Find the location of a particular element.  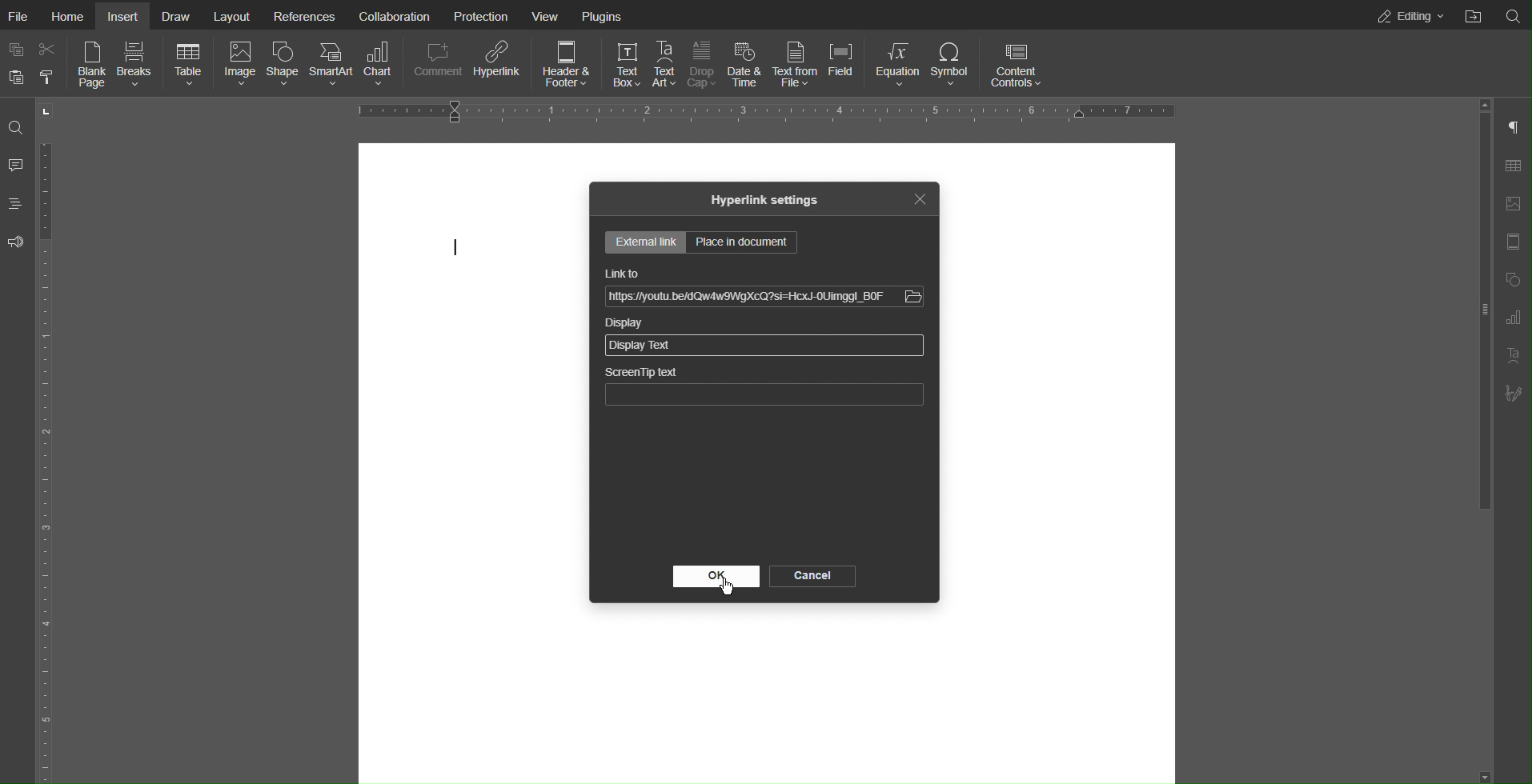

Equation is located at coordinates (897, 65).